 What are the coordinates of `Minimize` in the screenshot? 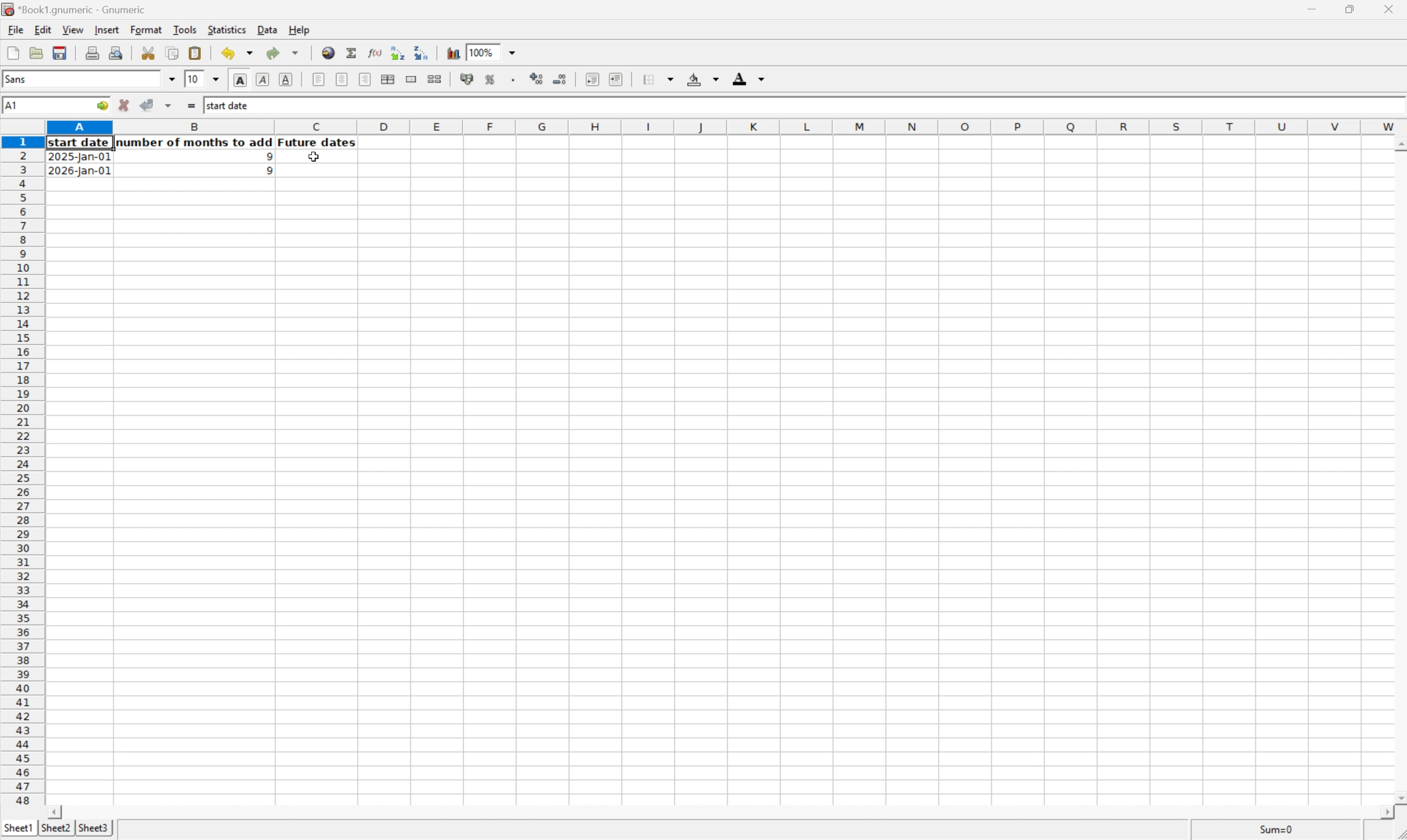 It's located at (1310, 7).